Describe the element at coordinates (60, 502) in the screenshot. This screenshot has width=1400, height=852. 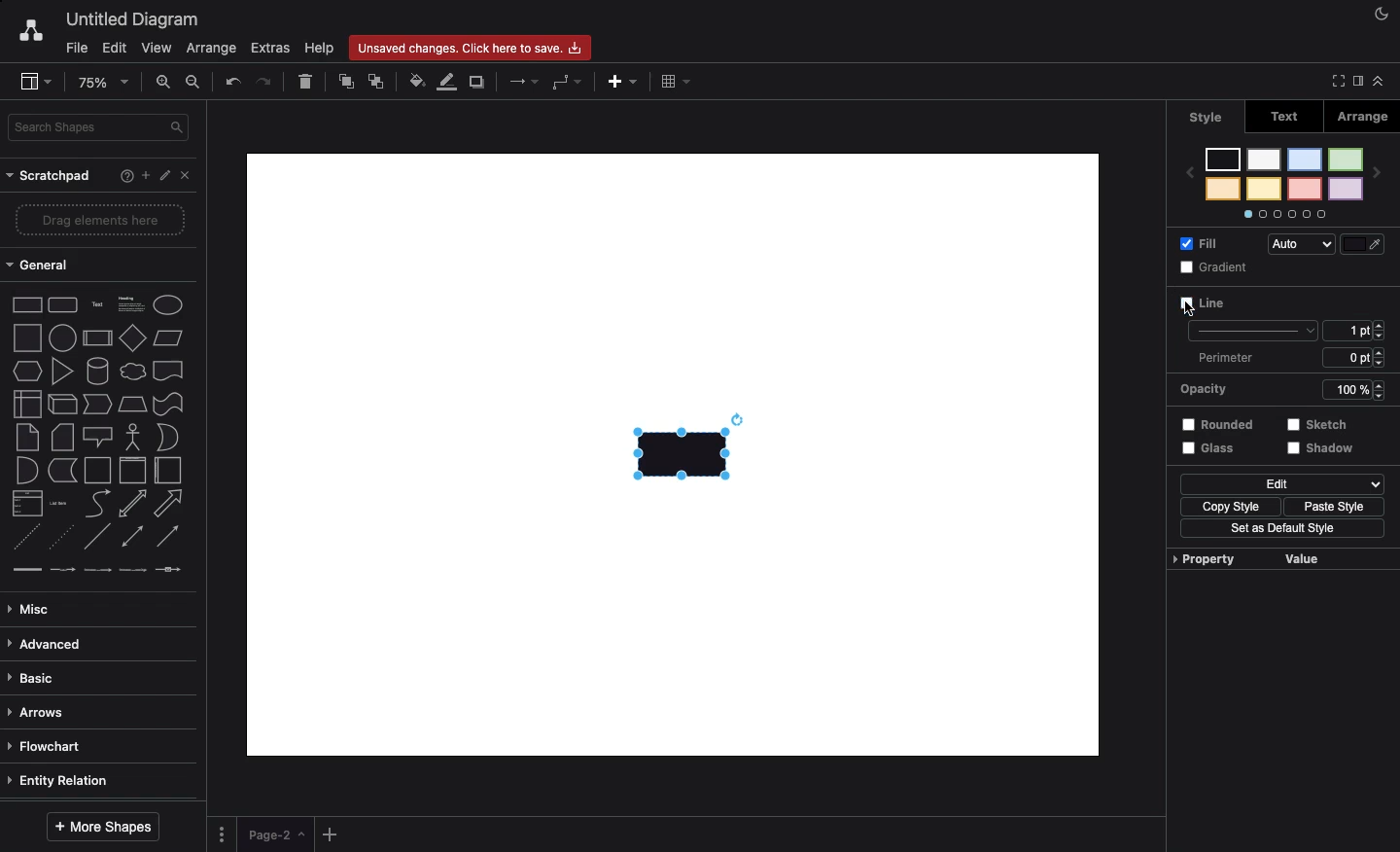
I see `list item` at that location.